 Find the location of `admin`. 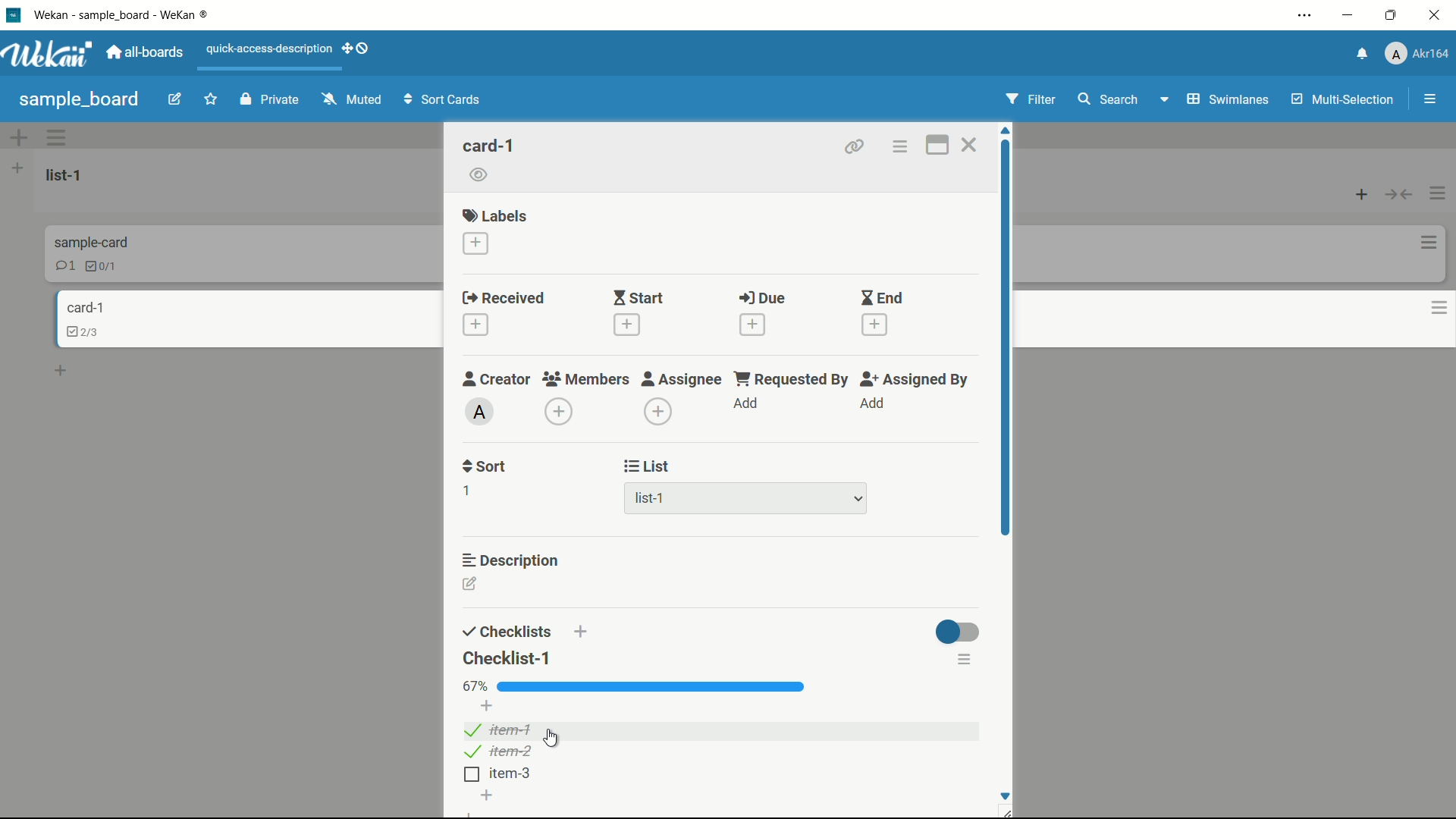

admin is located at coordinates (481, 413).